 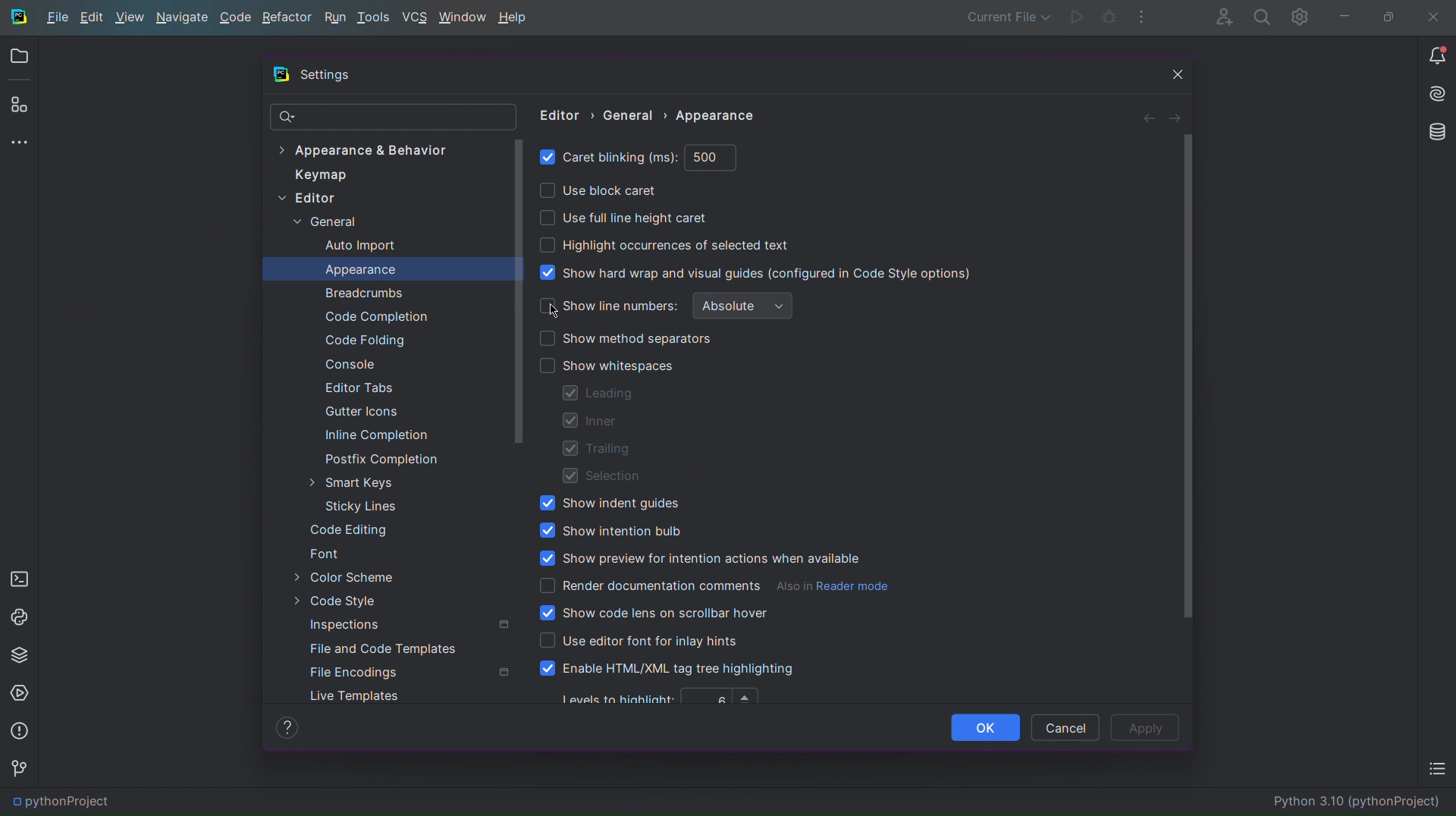 What do you see at coordinates (330, 554) in the screenshot?
I see `Font` at bounding box center [330, 554].